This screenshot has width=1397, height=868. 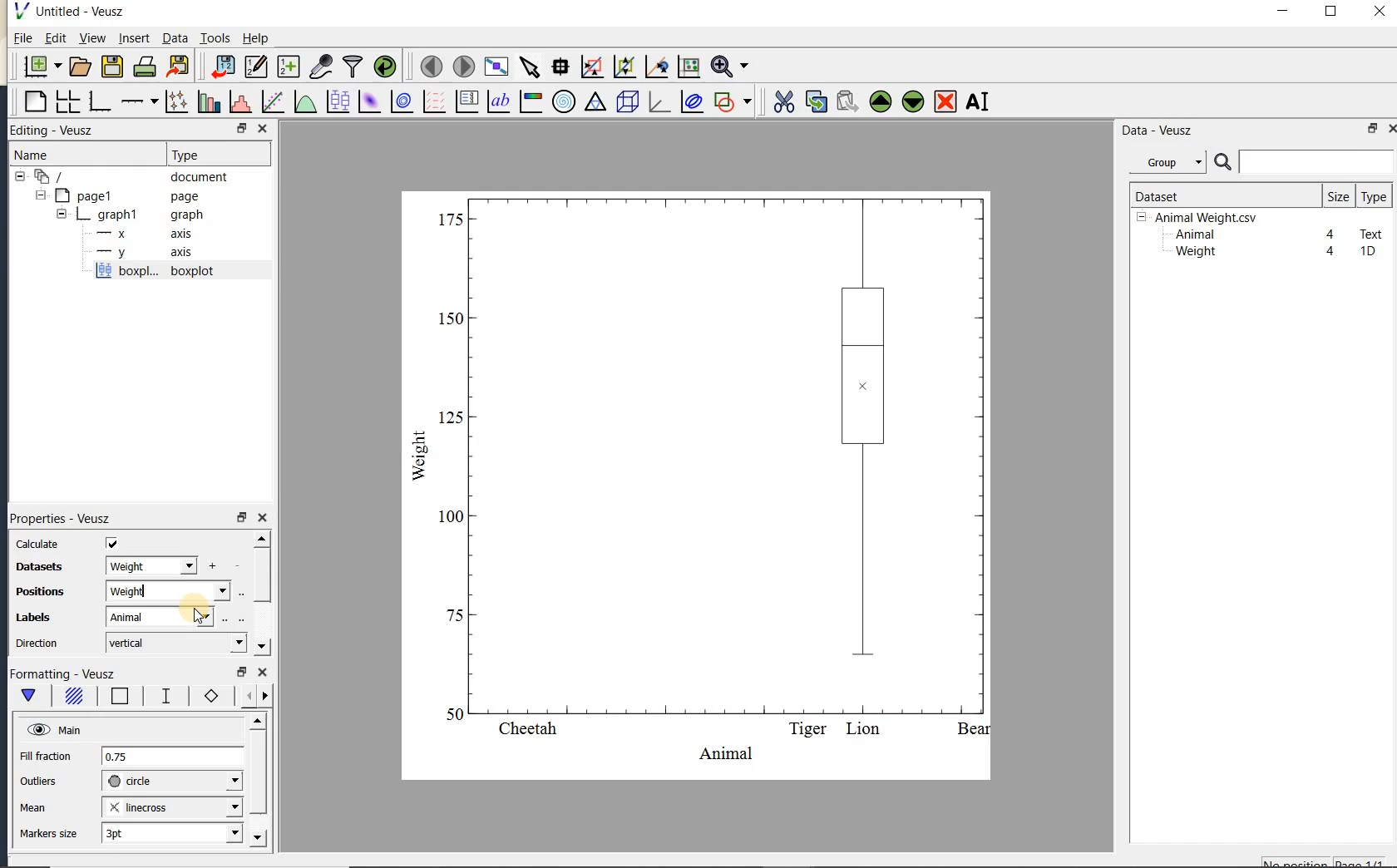 I want to click on Data-Veusz, so click(x=1158, y=131).